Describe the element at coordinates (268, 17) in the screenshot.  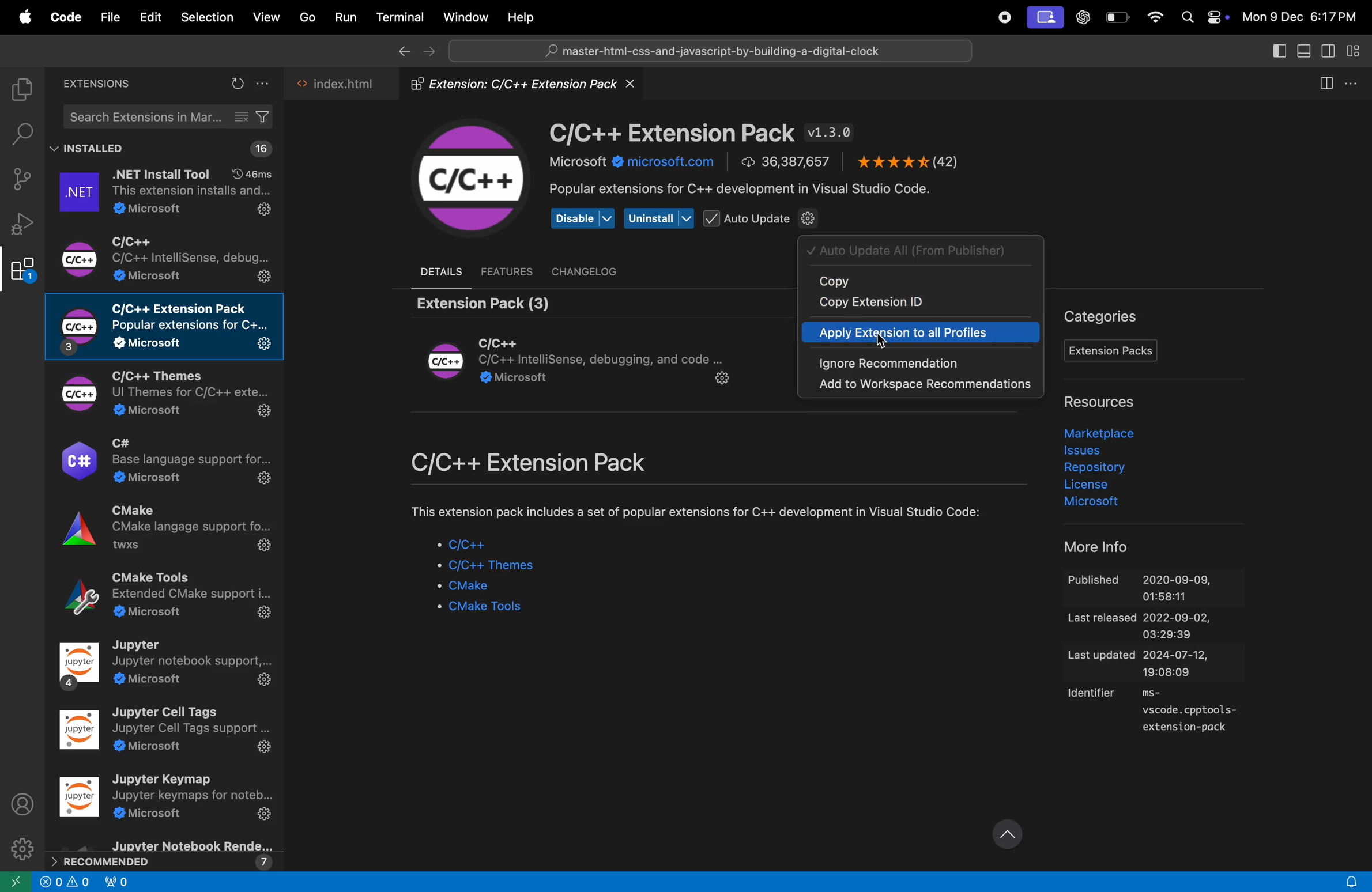
I see `View` at that location.